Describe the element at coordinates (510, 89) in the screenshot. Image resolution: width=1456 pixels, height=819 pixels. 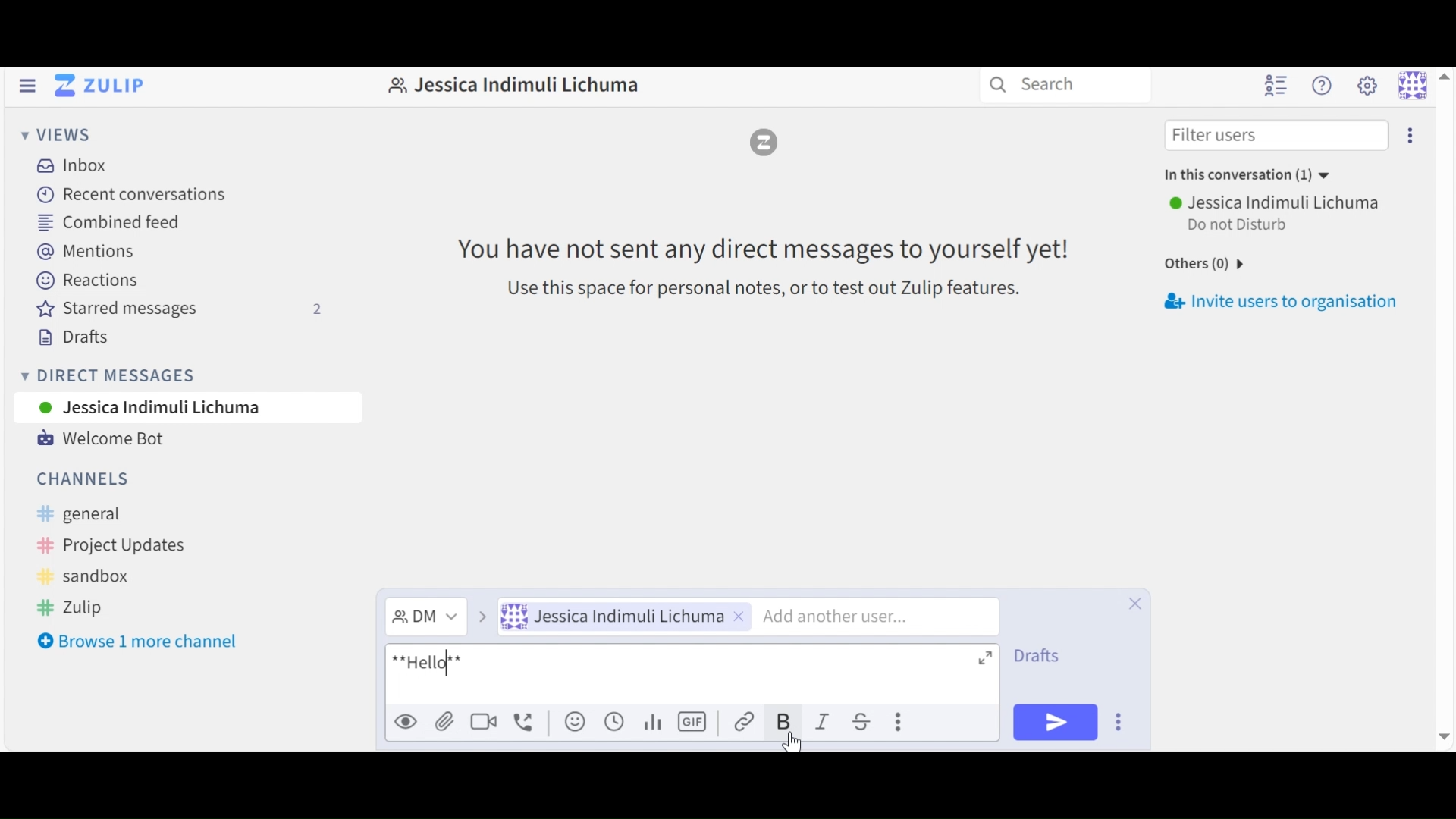
I see `Jessica Indimuli Lichuma` at that location.